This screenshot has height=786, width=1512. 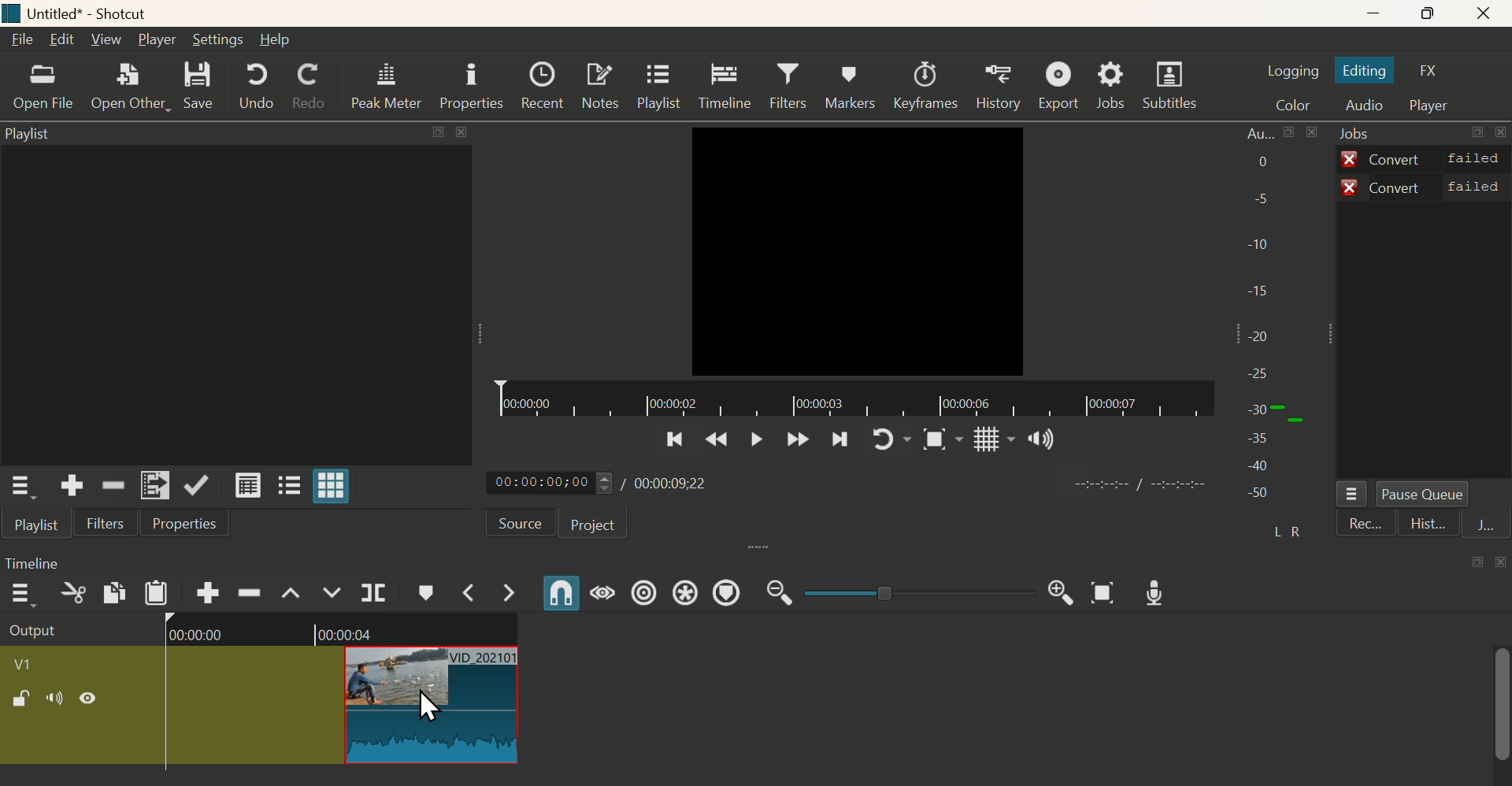 I want to click on Notes, so click(x=598, y=87).